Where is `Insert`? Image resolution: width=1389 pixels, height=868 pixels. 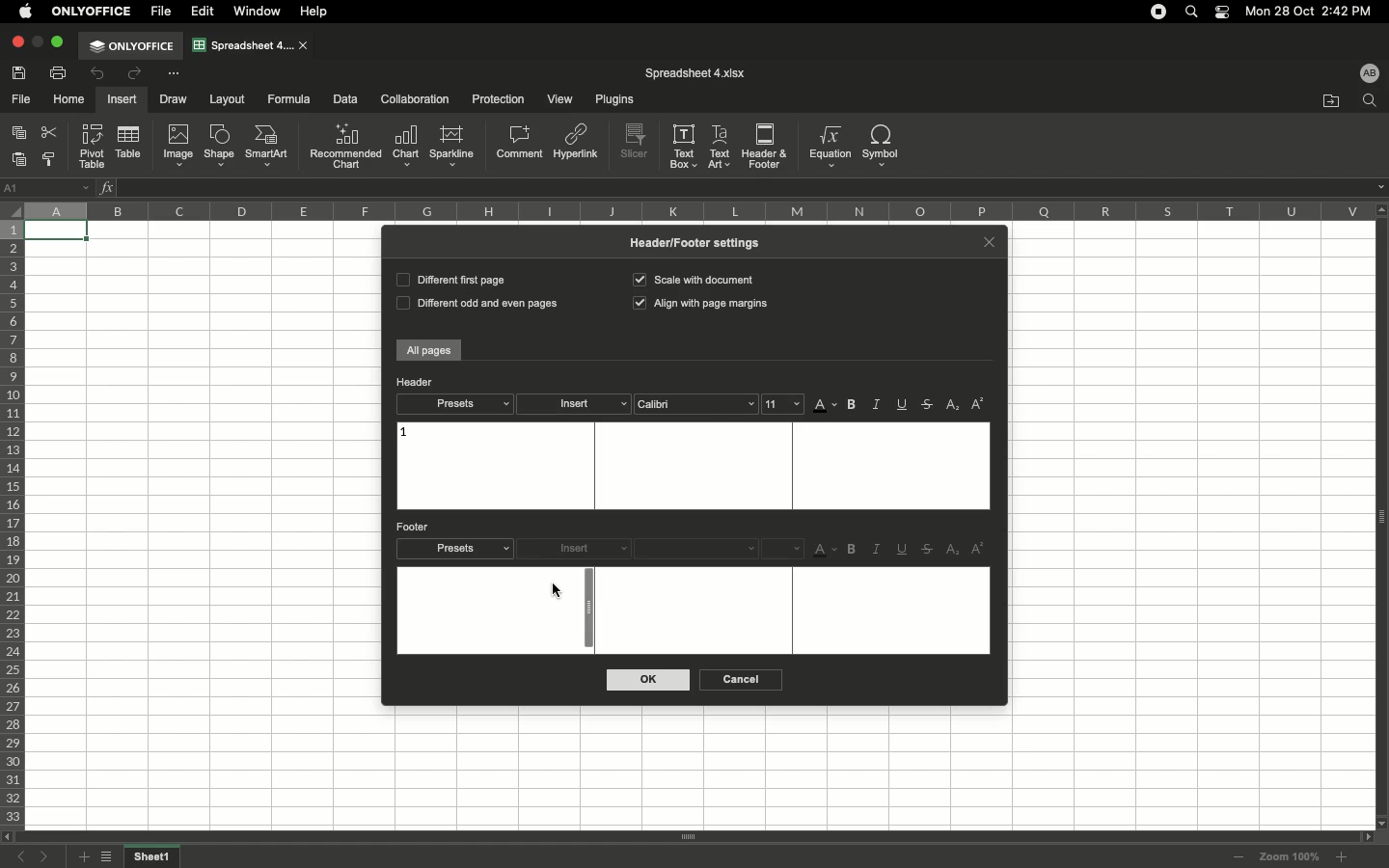
Insert is located at coordinates (121, 99).